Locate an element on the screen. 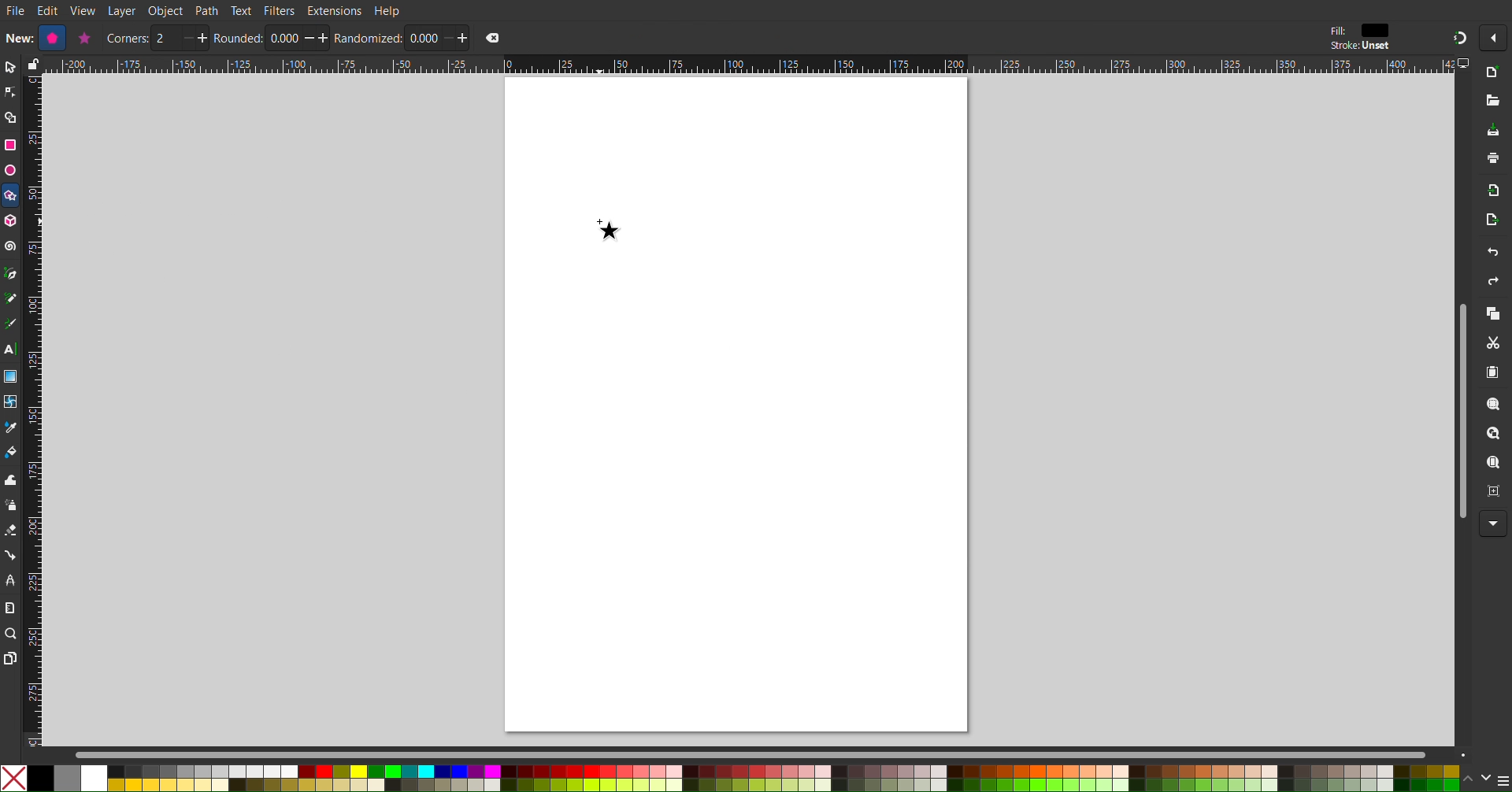 The image size is (1512, 792). Save is located at coordinates (1493, 131).